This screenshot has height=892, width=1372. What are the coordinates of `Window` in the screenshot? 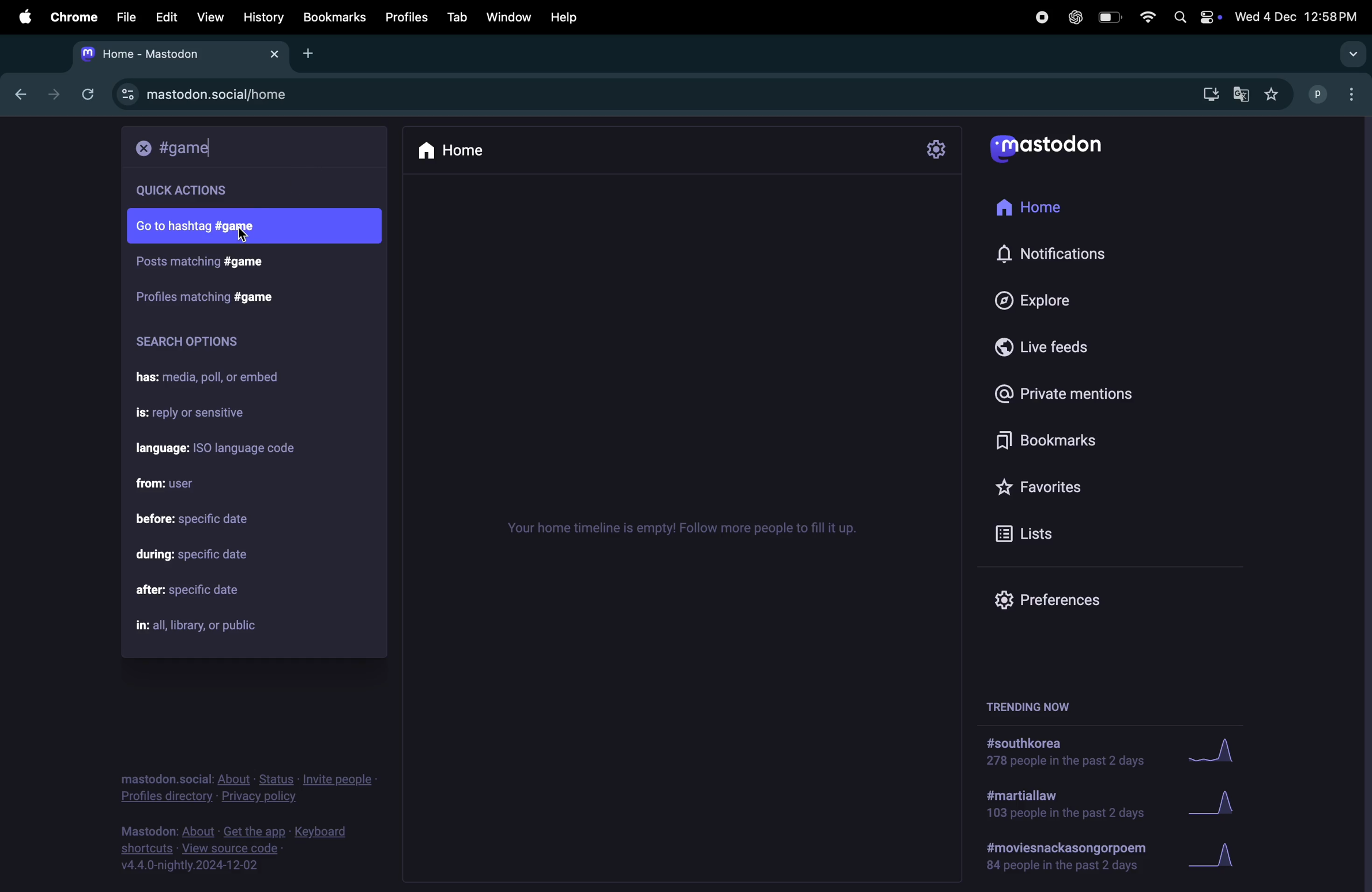 It's located at (508, 17).